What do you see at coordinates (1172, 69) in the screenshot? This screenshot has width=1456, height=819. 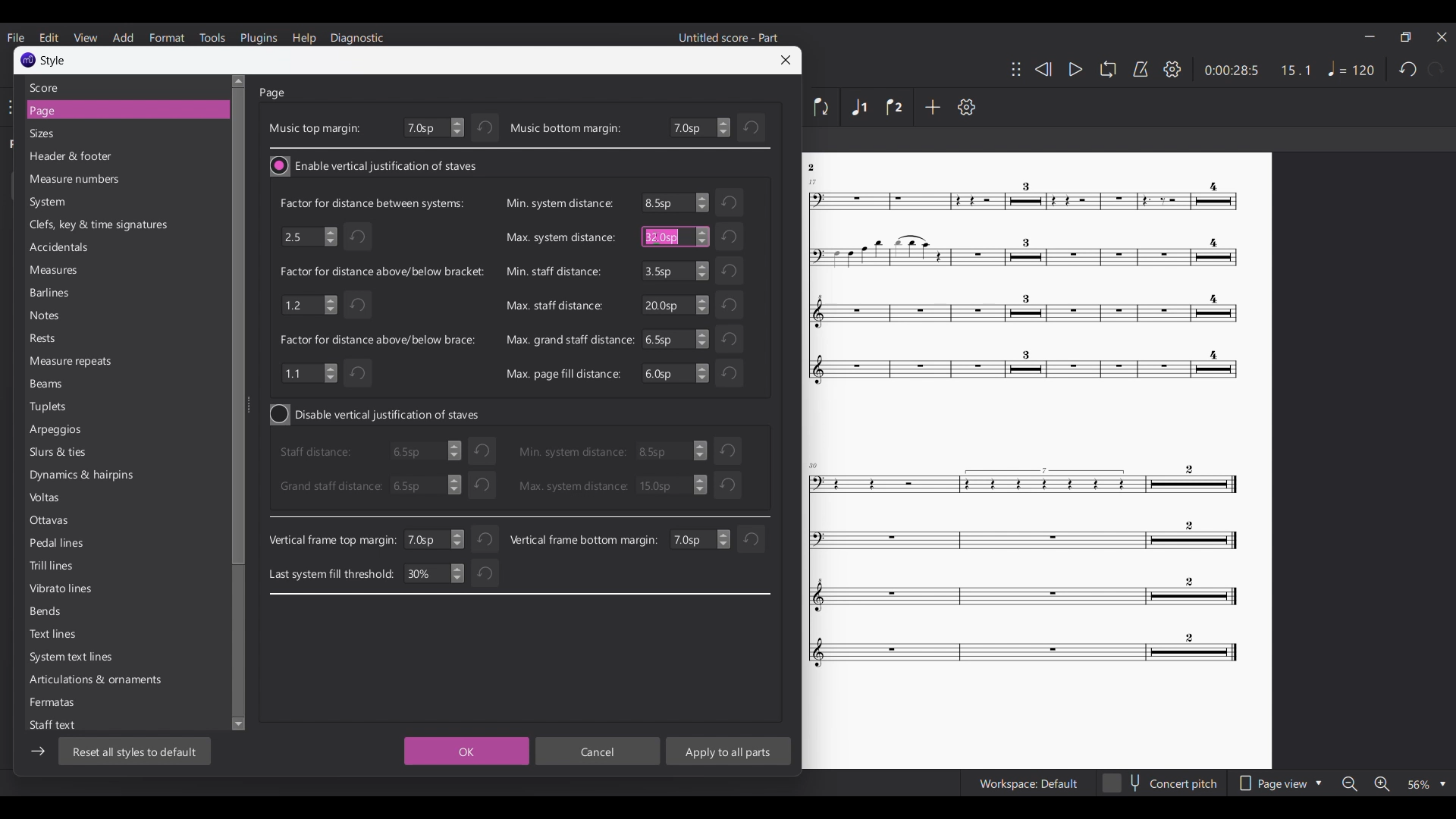 I see `Settings` at bounding box center [1172, 69].